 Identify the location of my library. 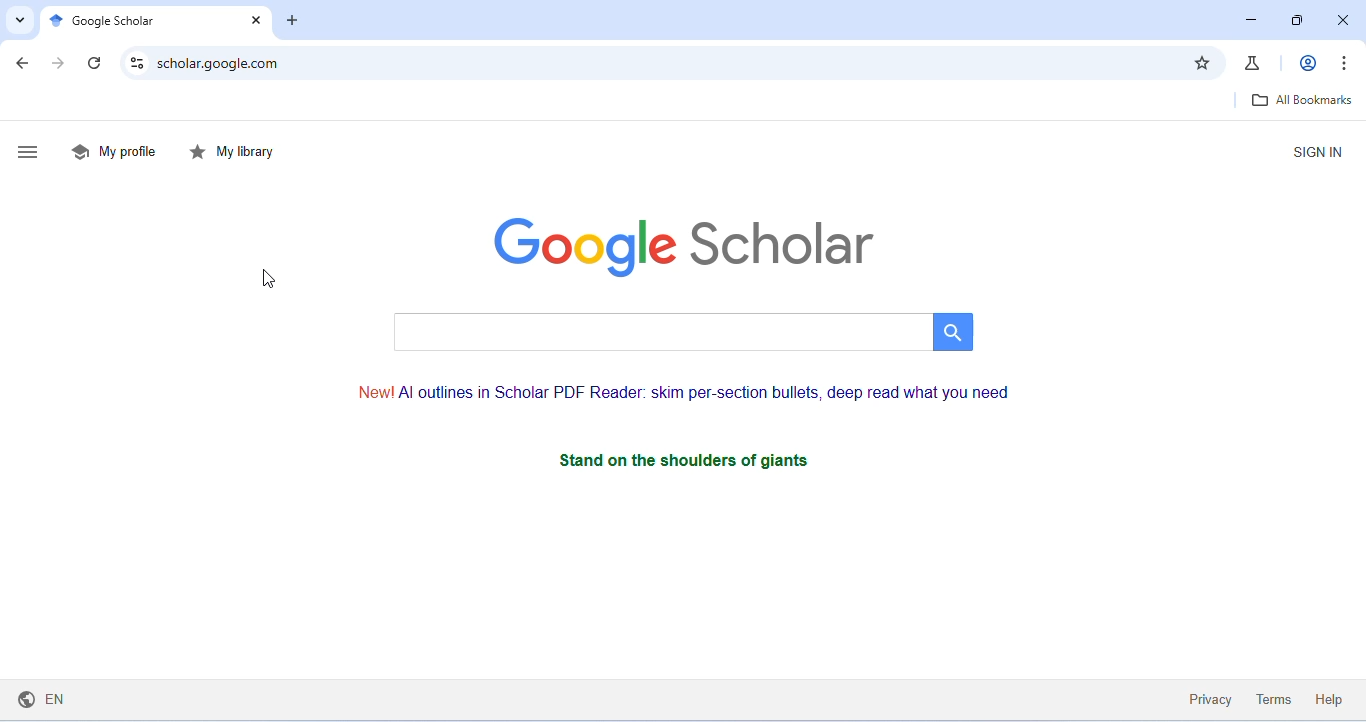
(234, 151).